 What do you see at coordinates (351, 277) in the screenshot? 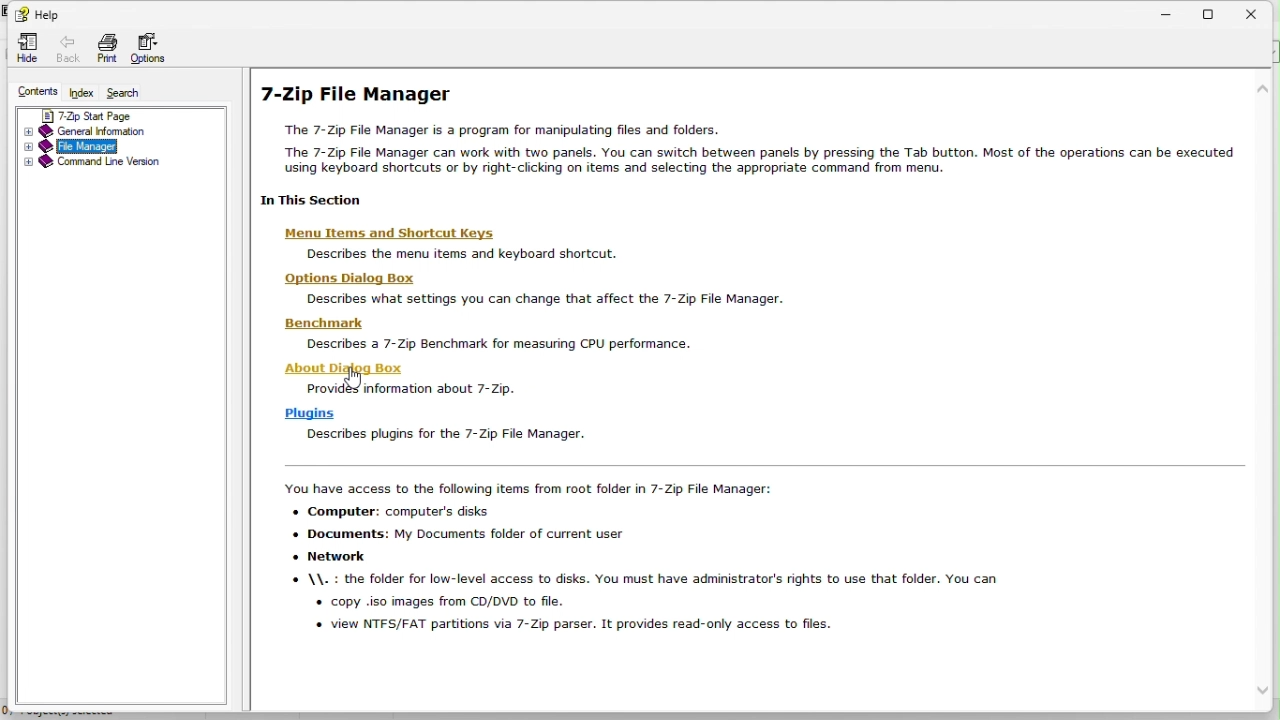
I see `Options Dialog Box` at bounding box center [351, 277].